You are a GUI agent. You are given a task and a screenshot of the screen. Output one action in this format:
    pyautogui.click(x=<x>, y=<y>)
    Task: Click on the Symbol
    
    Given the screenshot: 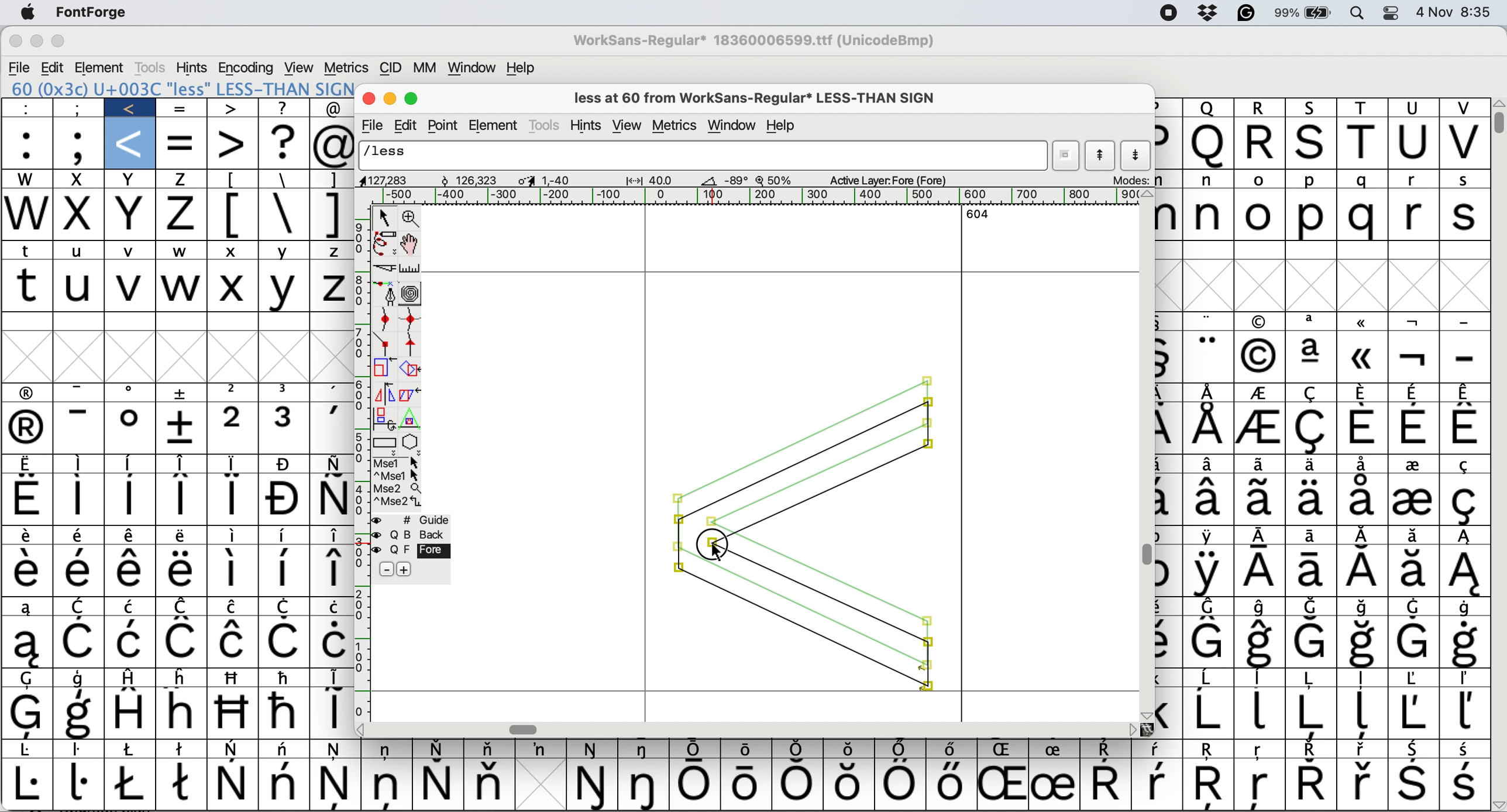 What is the action you would take?
    pyautogui.click(x=1054, y=749)
    